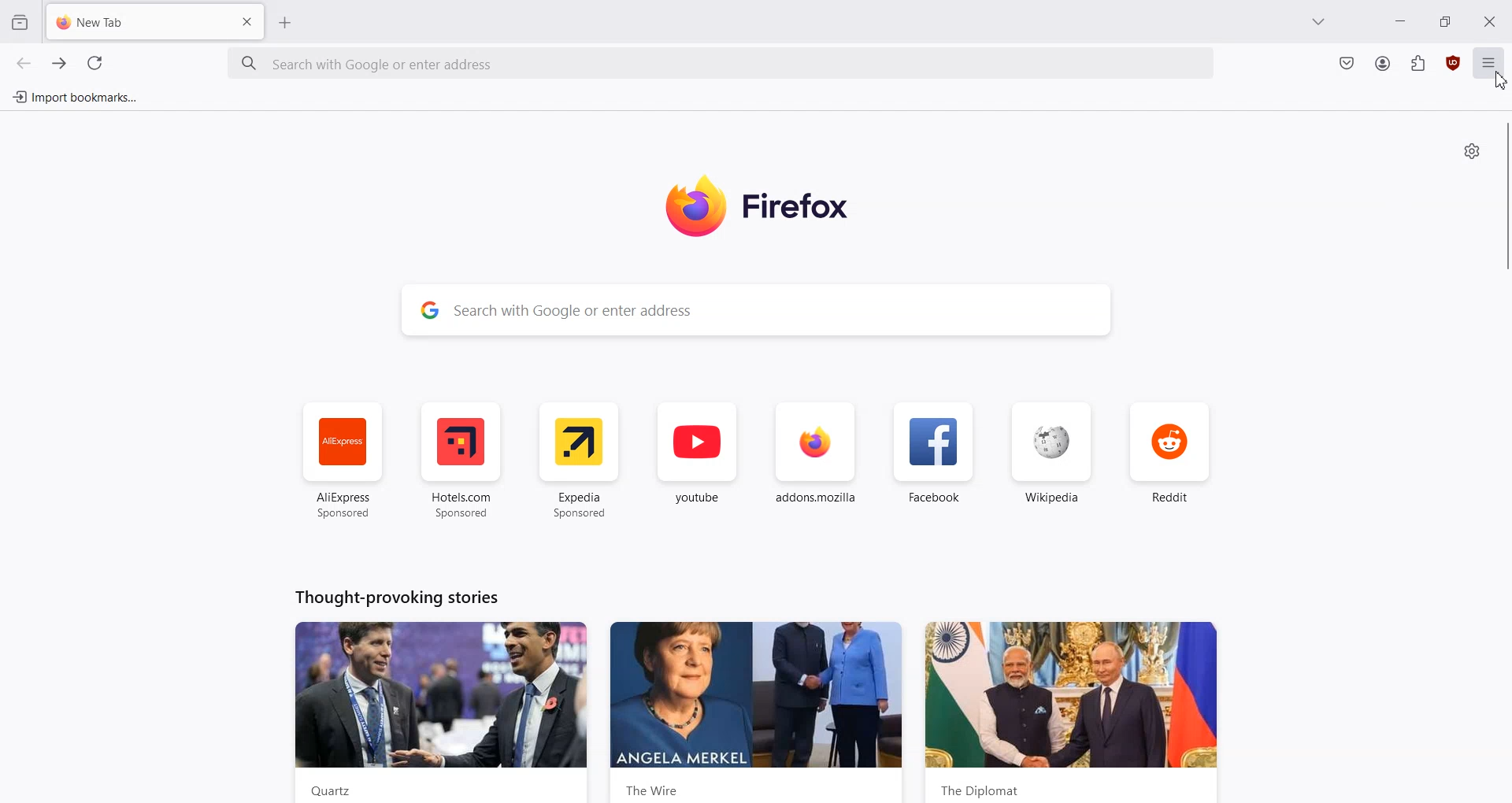 Image resolution: width=1512 pixels, height=803 pixels. What do you see at coordinates (22, 62) in the screenshot?
I see `Go Back one page ` at bounding box center [22, 62].